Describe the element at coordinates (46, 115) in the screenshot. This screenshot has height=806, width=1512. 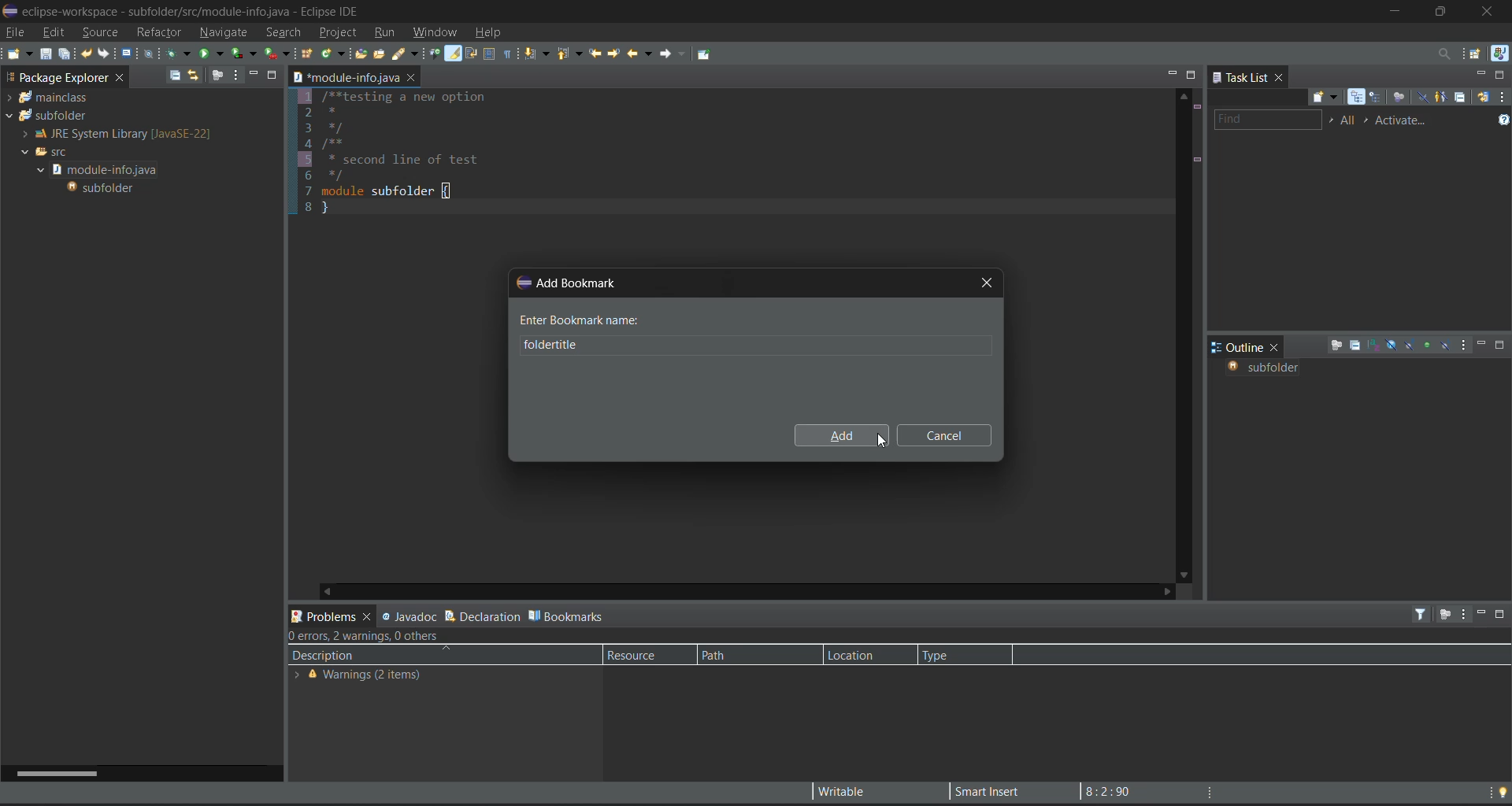
I see `subfolder` at that location.